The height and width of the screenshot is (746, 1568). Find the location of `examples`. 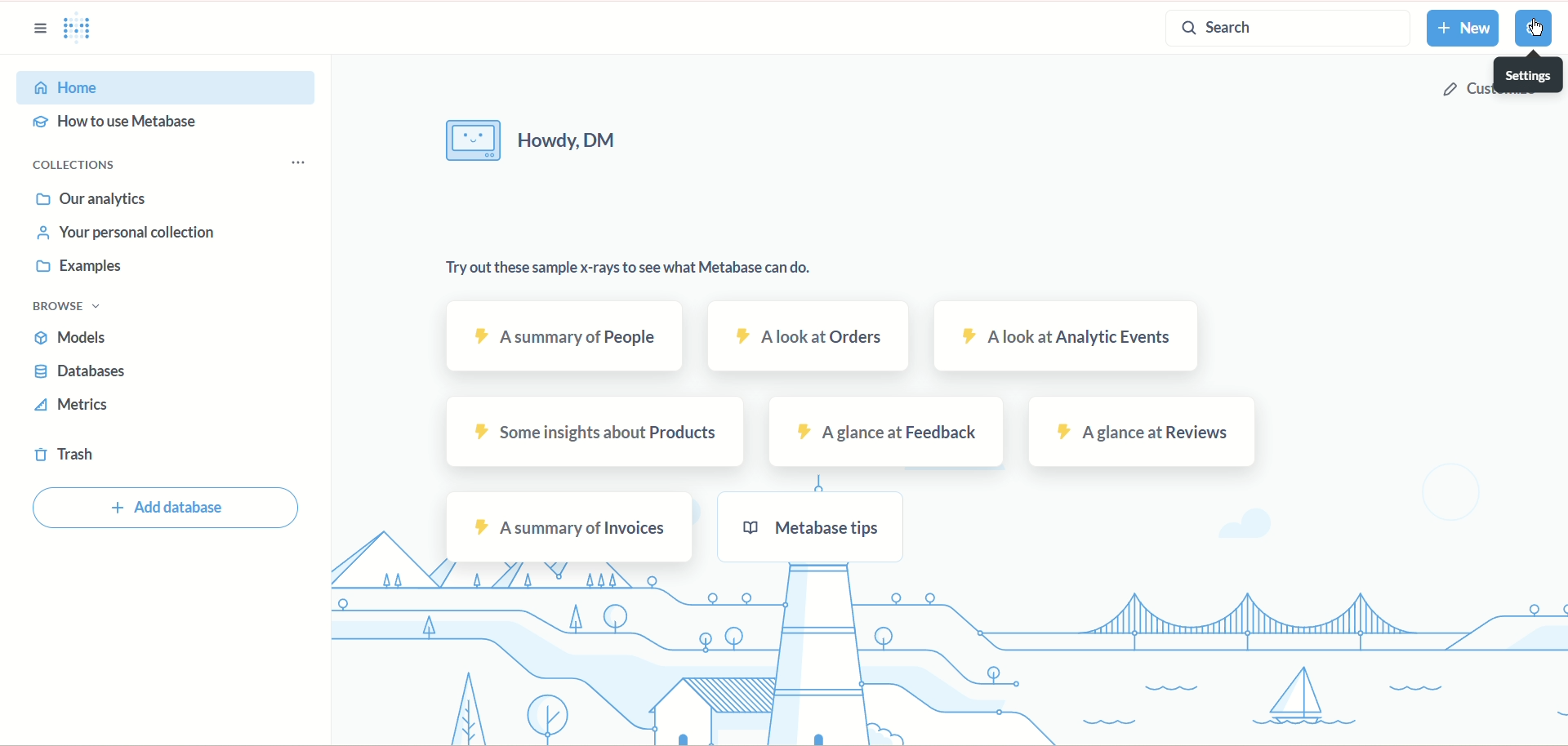

examples is located at coordinates (84, 269).